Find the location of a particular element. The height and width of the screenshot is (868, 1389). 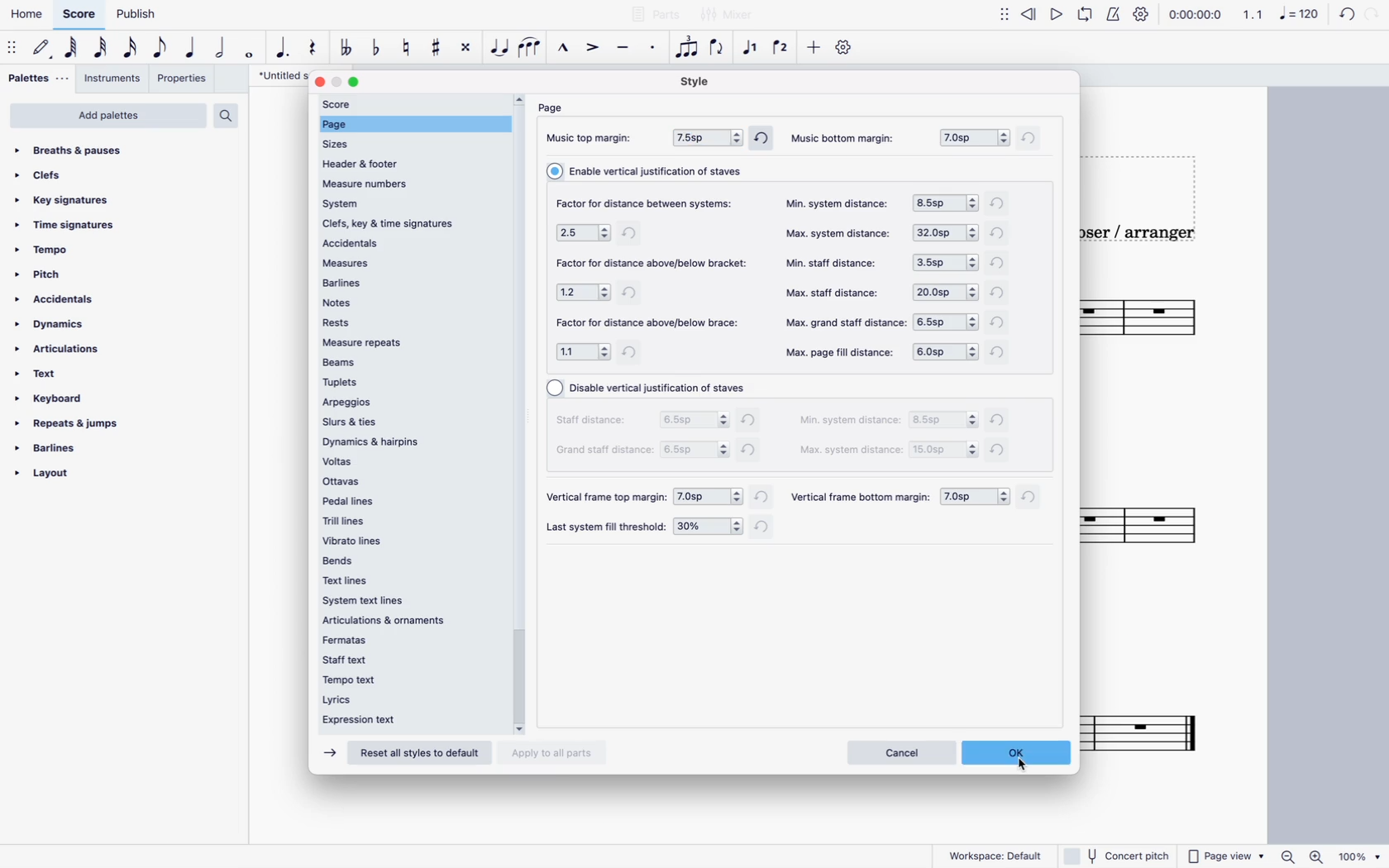

tie is located at coordinates (500, 51).